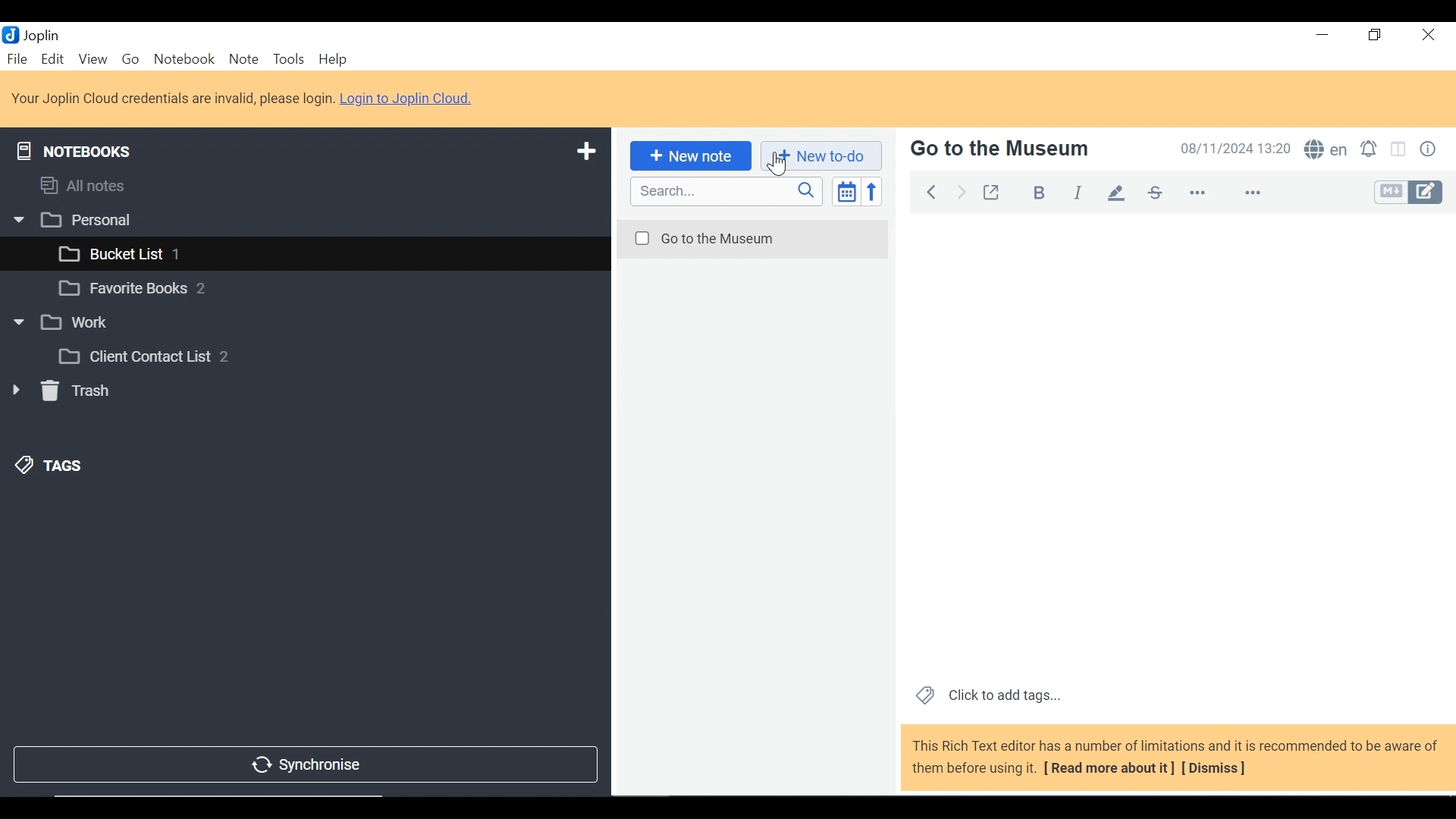 The image size is (1456, 819). What do you see at coordinates (301, 290) in the screenshot?
I see `Notebook` at bounding box center [301, 290].